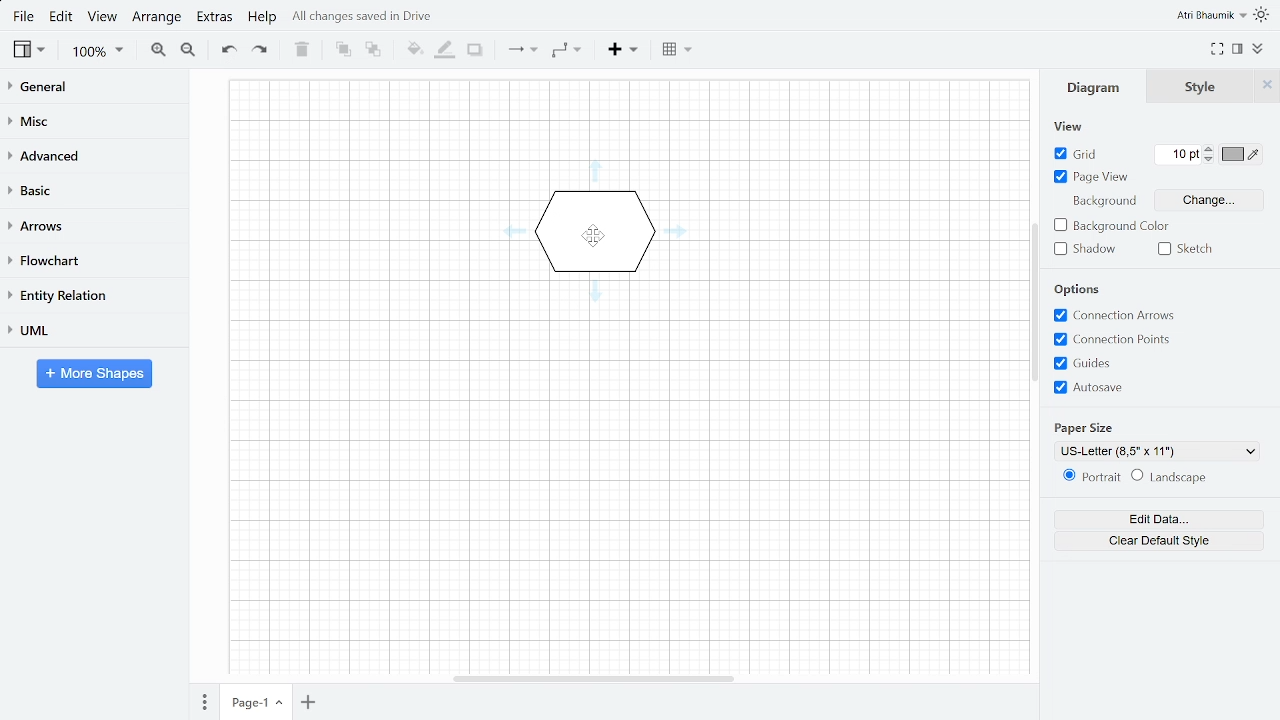 This screenshot has width=1280, height=720. What do you see at coordinates (156, 52) in the screenshot?
I see `Zoom in` at bounding box center [156, 52].